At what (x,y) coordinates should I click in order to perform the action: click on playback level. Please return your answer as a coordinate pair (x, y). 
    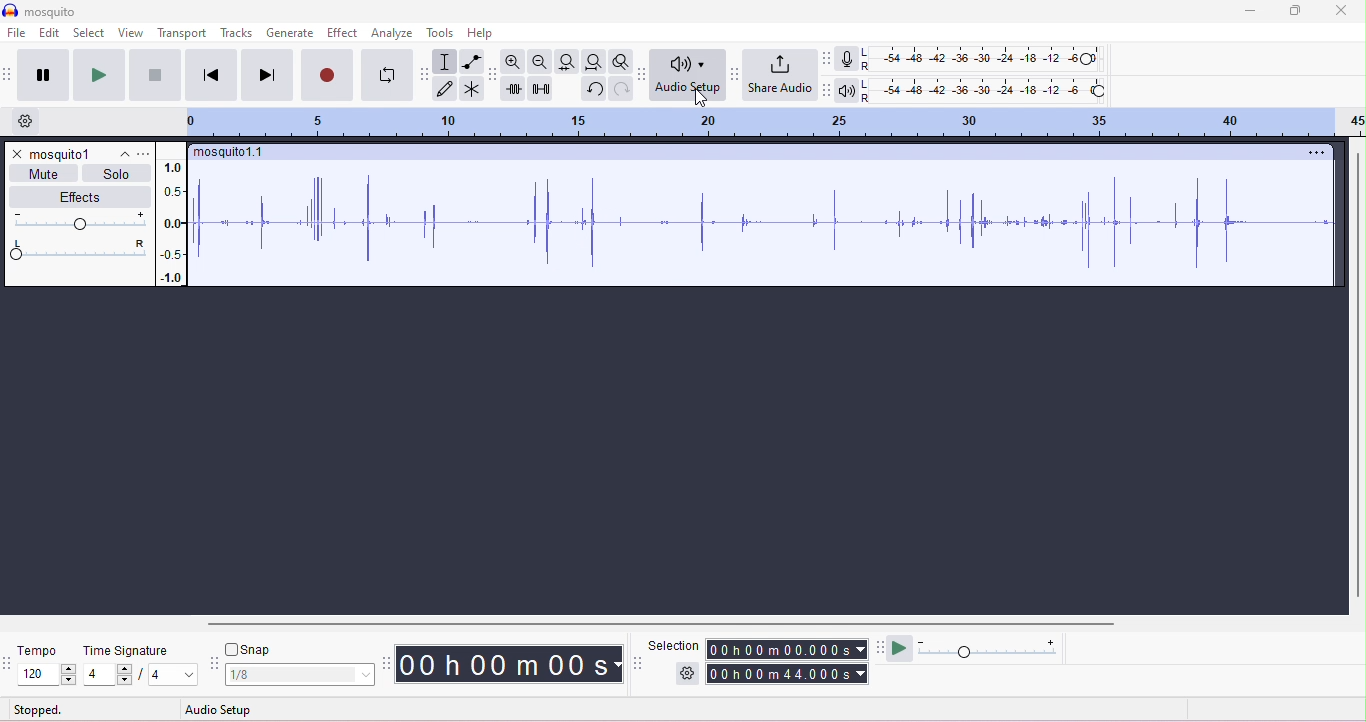
    Looking at the image, I should click on (983, 92).